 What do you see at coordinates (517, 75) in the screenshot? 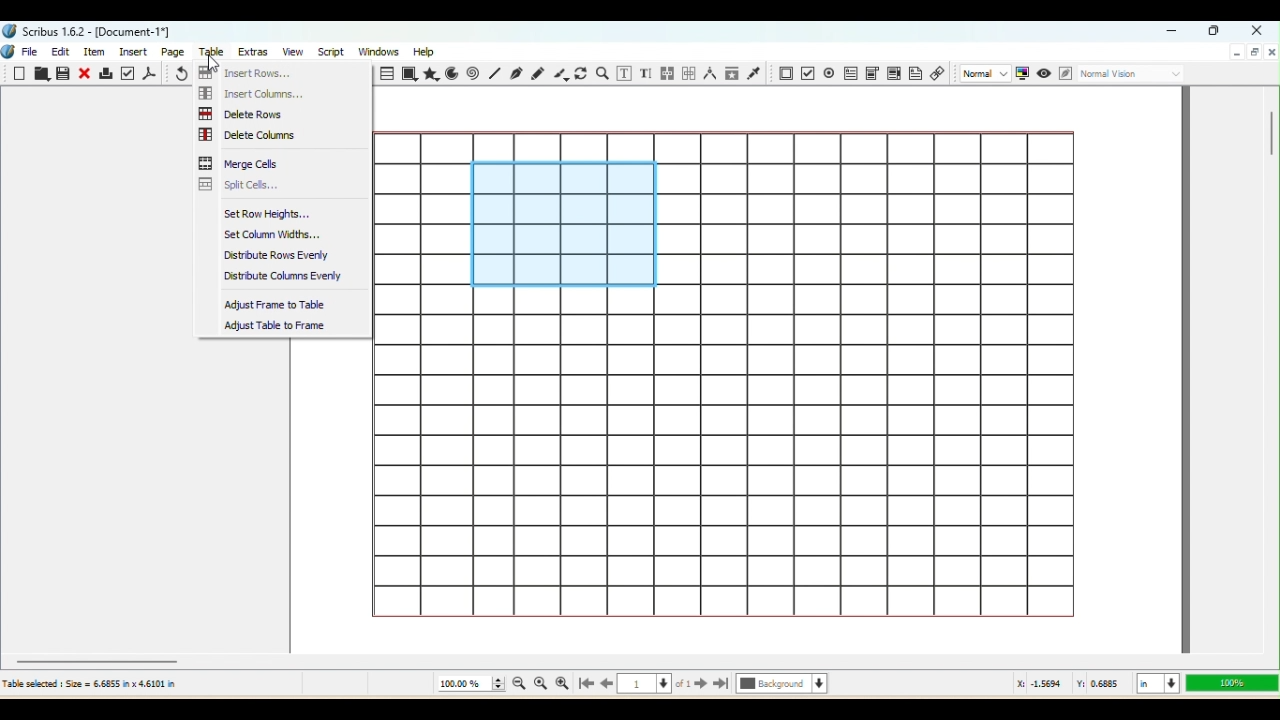
I see `Bezier curve` at bounding box center [517, 75].